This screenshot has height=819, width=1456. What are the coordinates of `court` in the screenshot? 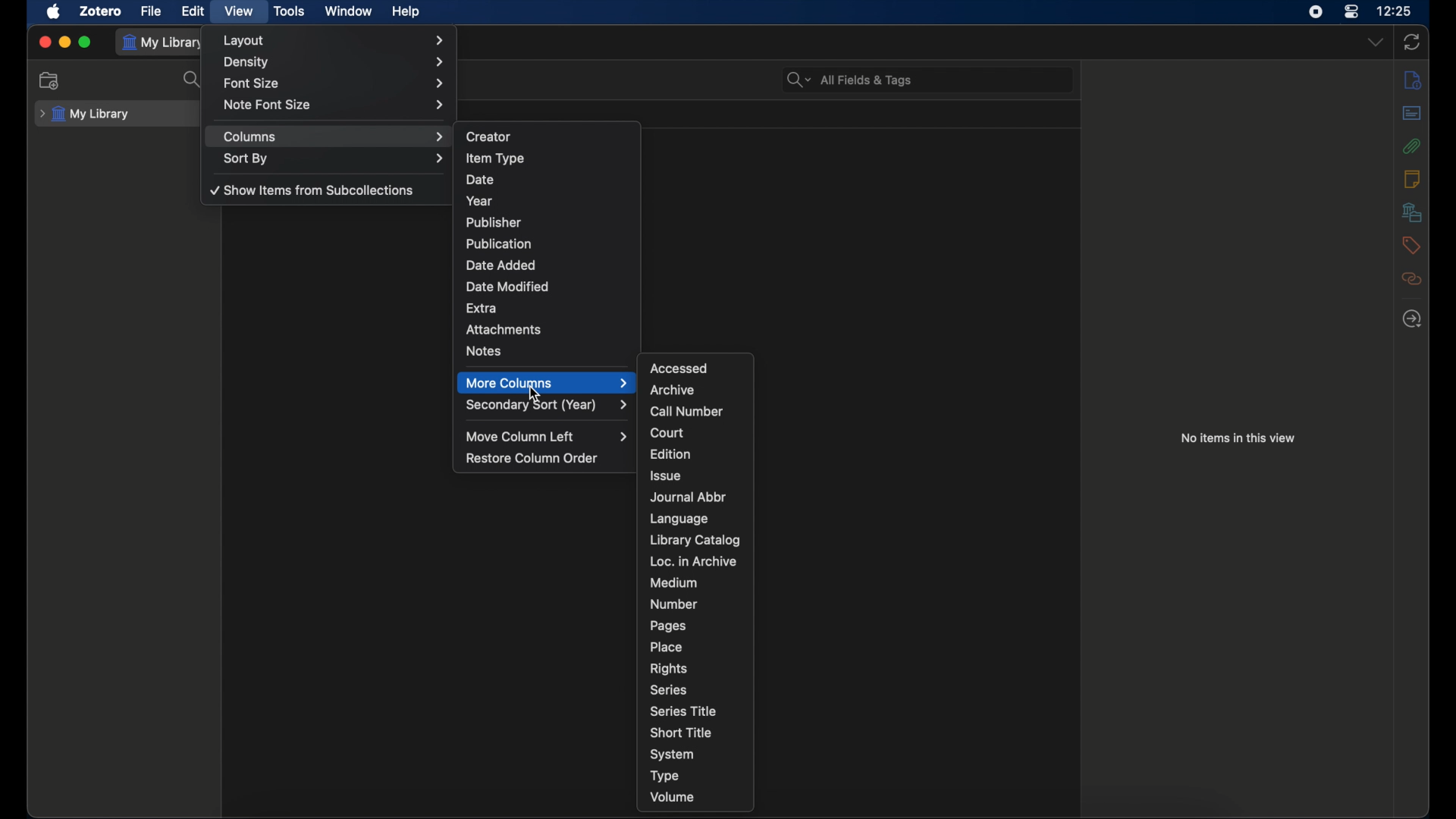 It's located at (667, 432).